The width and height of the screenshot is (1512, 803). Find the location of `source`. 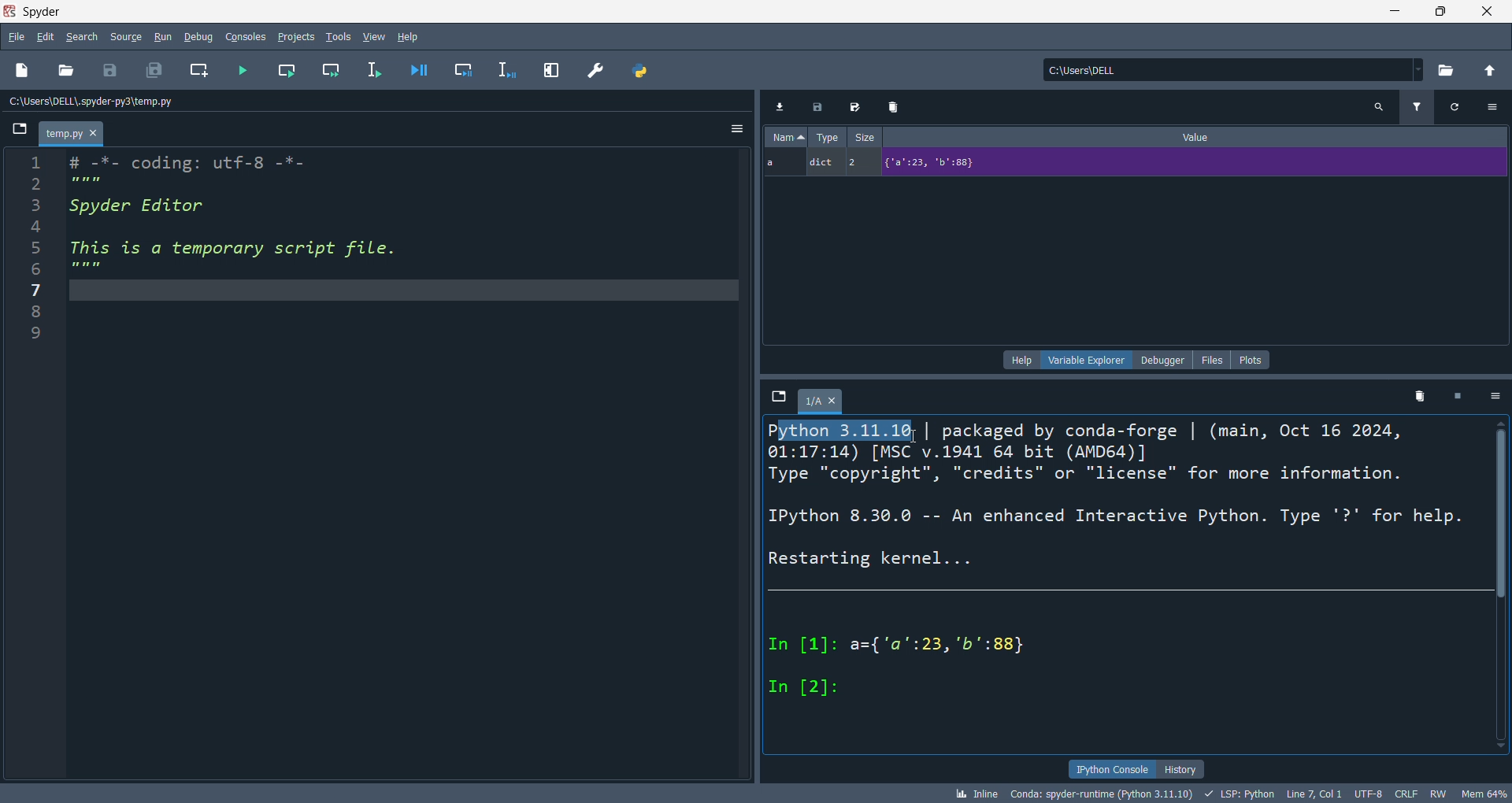

source is located at coordinates (123, 39).